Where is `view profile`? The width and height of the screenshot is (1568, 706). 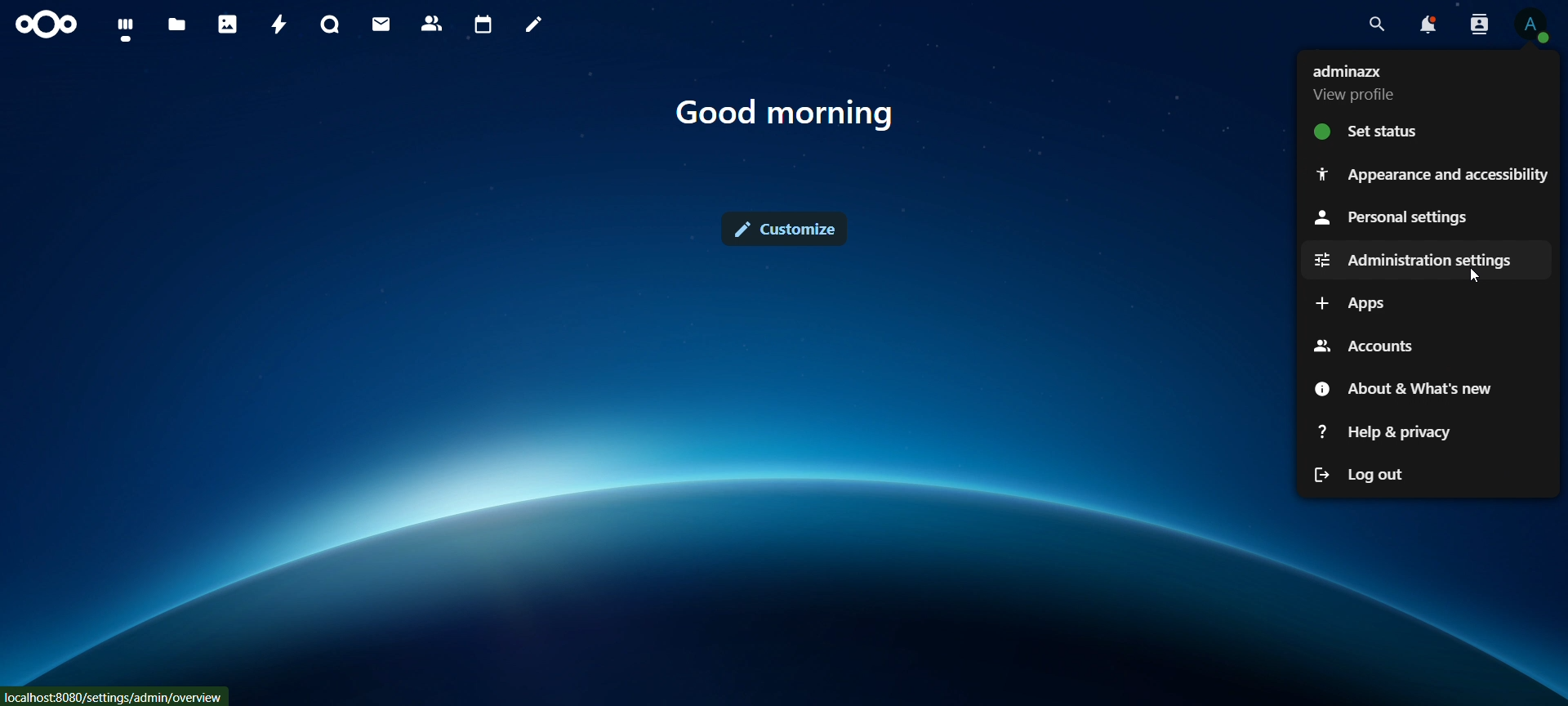 view profile is located at coordinates (1531, 25).